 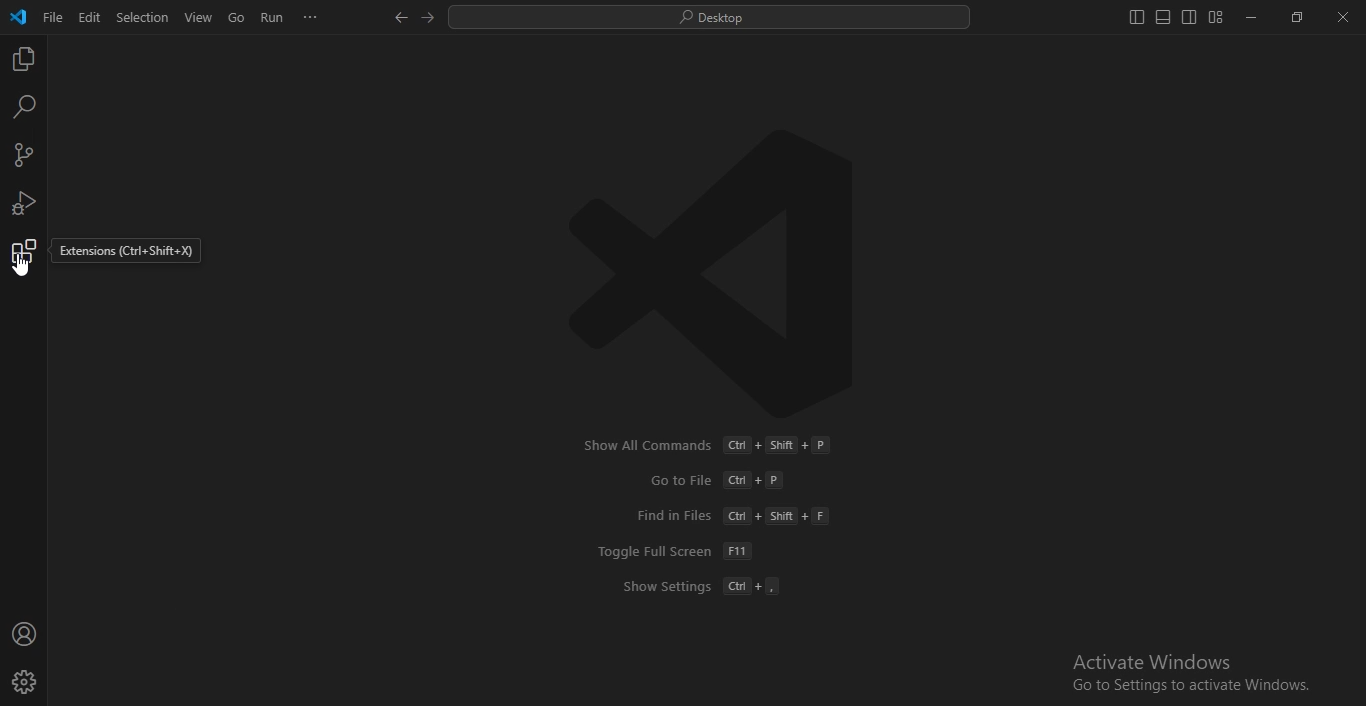 What do you see at coordinates (1251, 19) in the screenshot?
I see `minimize` at bounding box center [1251, 19].